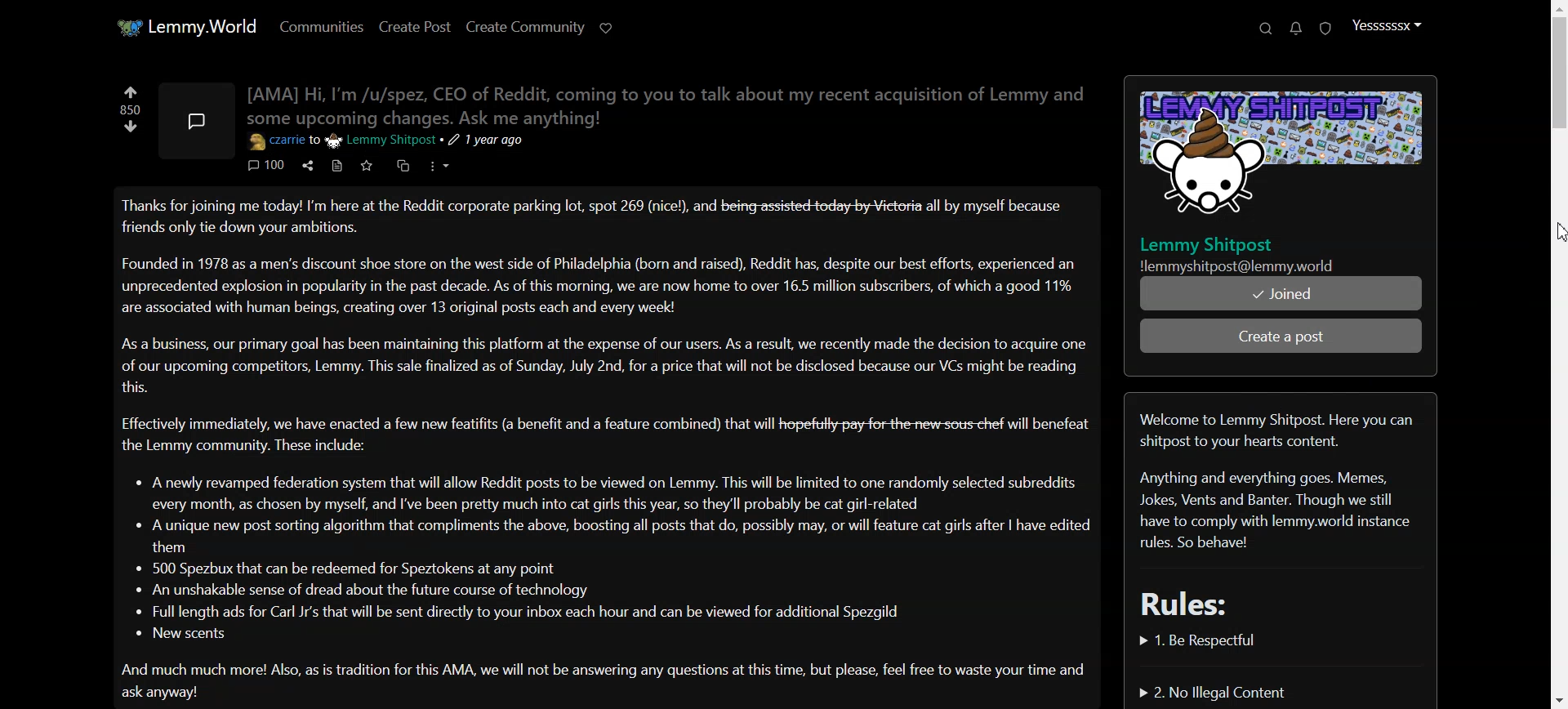  I want to click on Unread Report, so click(1325, 29).